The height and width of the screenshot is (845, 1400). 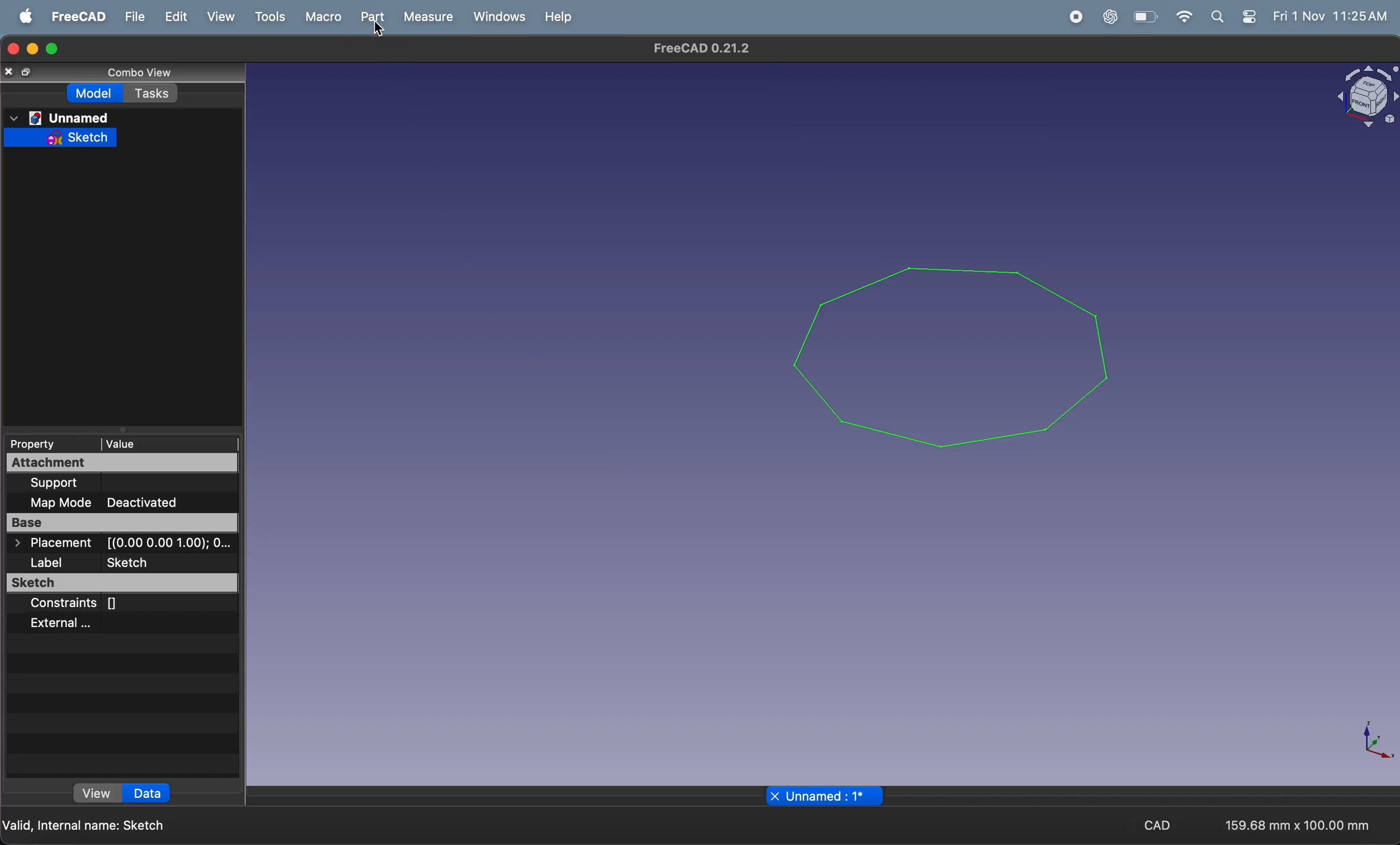 I want to click on closing window, so click(x=13, y=49).